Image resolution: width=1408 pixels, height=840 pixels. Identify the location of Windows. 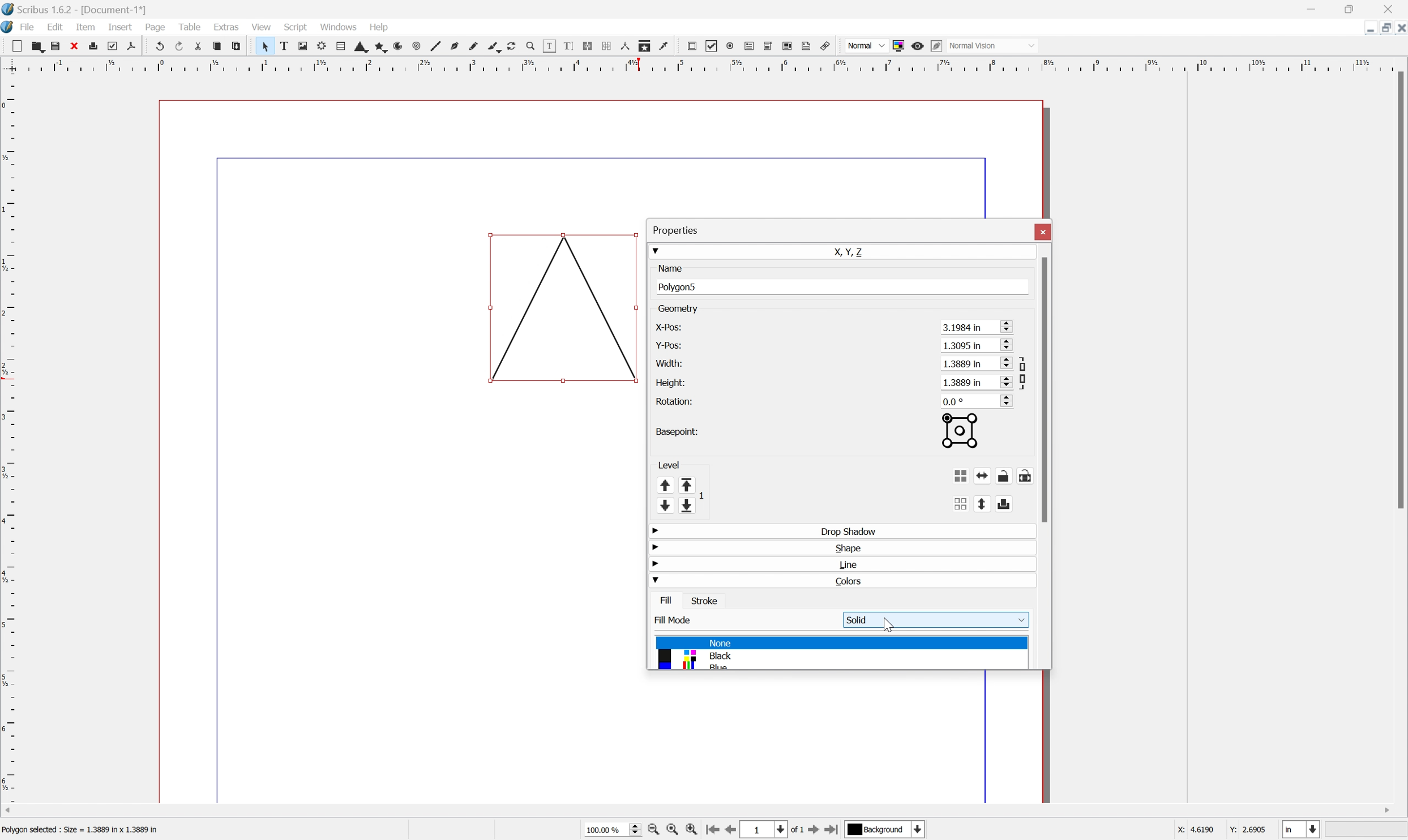
(338, 25).